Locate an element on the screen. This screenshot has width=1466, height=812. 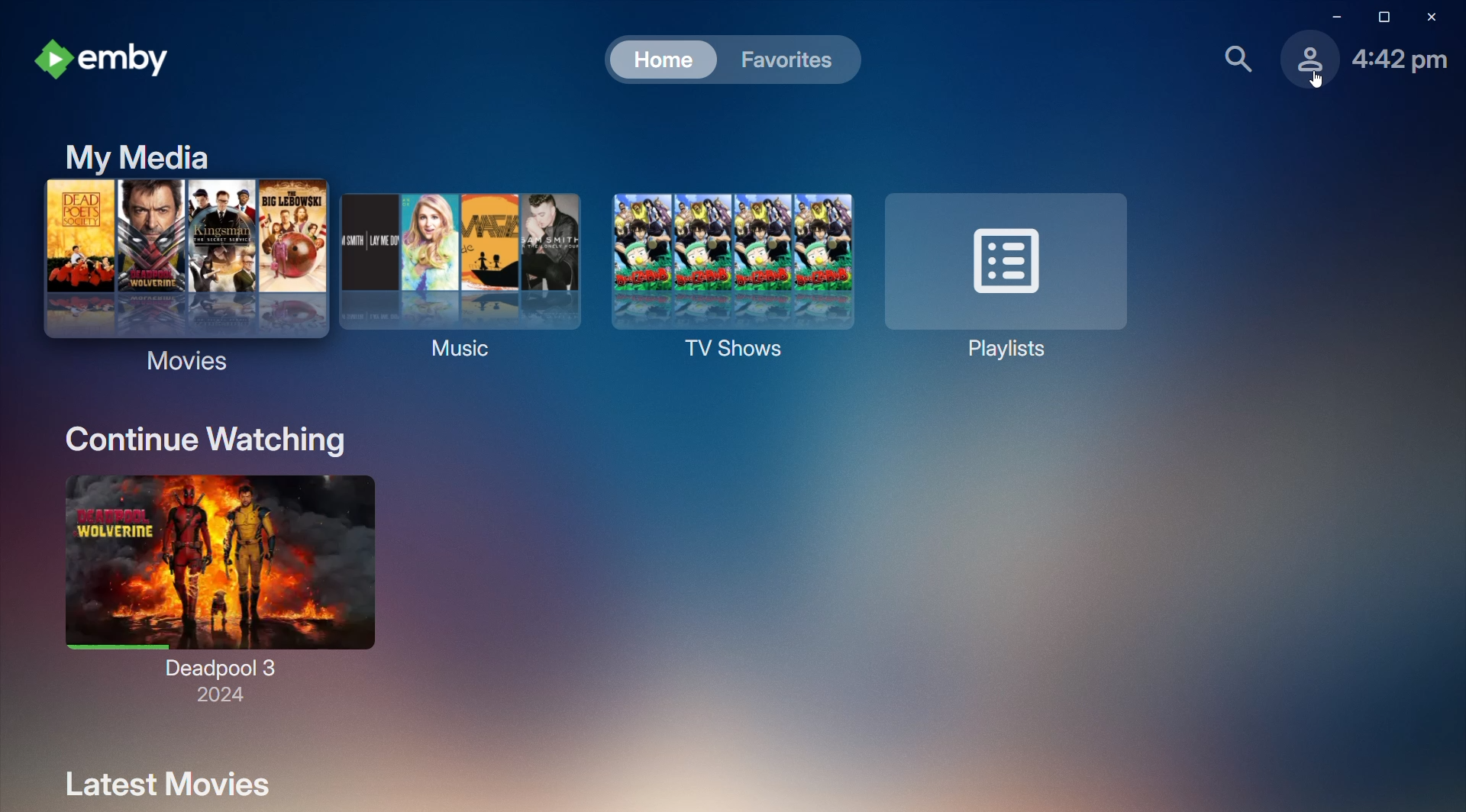
Favorites is located at coordinates (783, 60).